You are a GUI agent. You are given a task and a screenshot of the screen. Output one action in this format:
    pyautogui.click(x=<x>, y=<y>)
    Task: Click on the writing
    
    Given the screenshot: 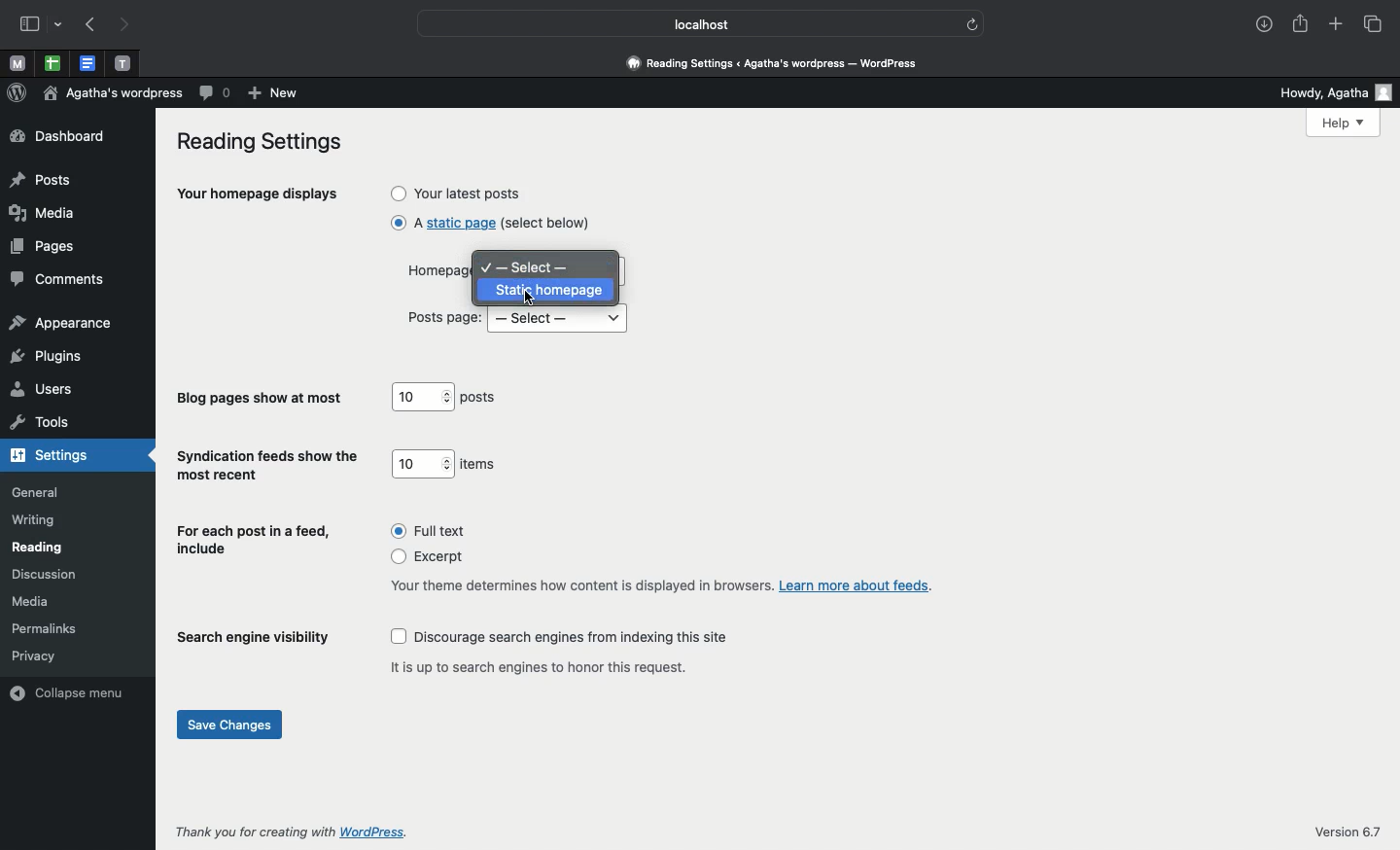 What is the action you would take?
    pyautogui.click(x=35, y=521)
    